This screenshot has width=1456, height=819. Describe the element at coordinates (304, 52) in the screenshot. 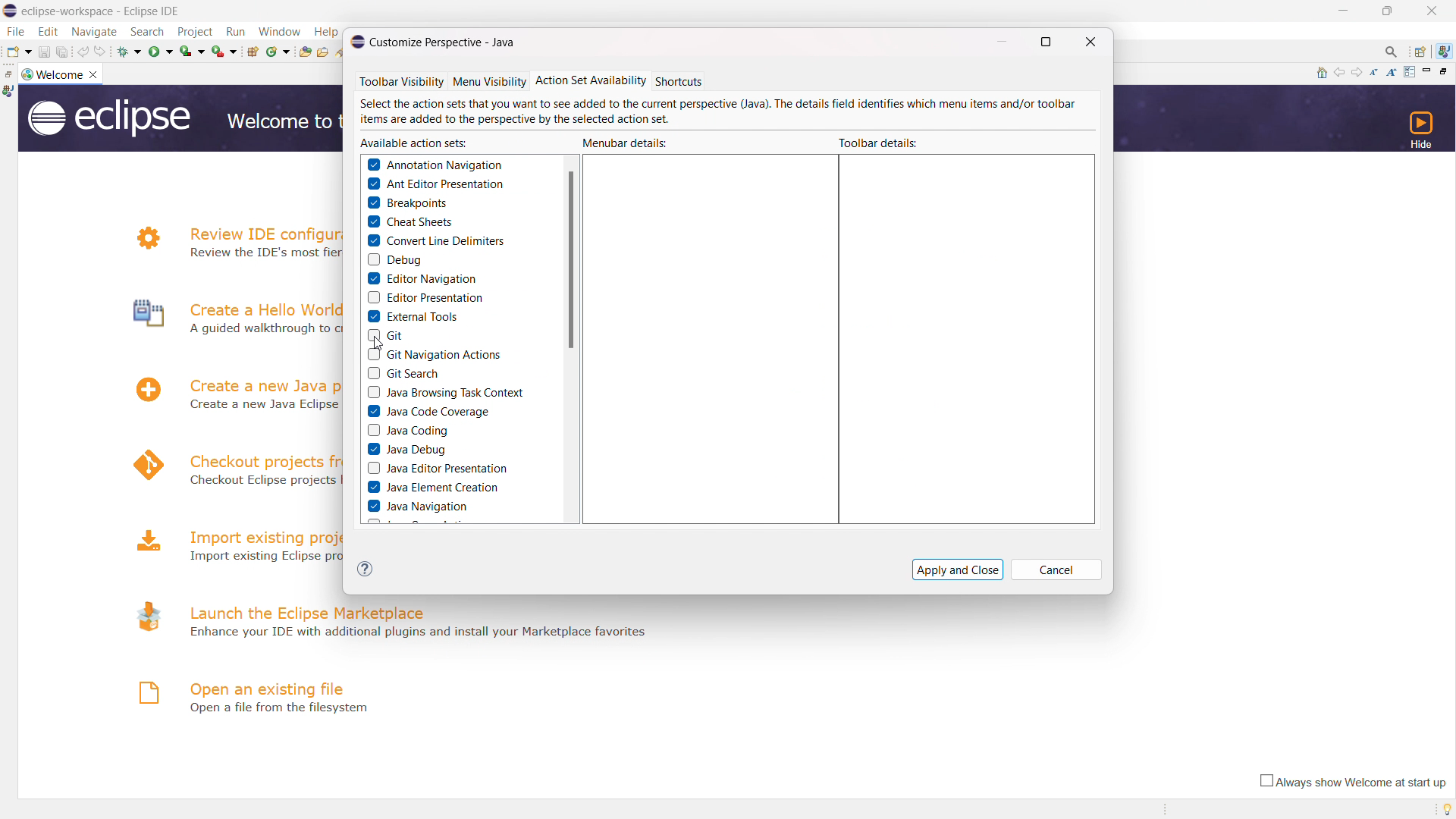

I see `open type` at that location.